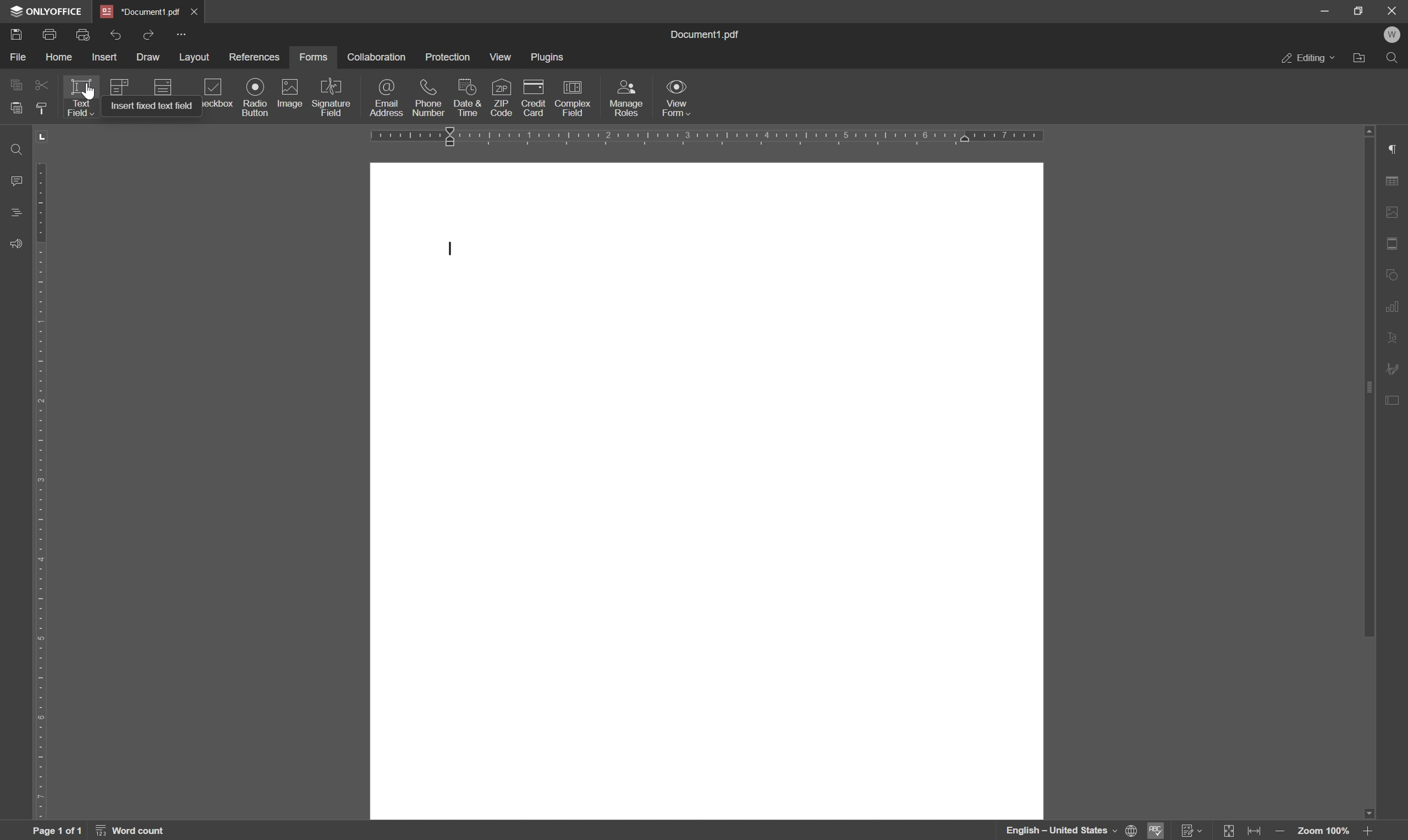 This screenshot has height=840, width=1408. Describe the element at coordinates (389, 99) in the screenshot. I see `email address` at that location.